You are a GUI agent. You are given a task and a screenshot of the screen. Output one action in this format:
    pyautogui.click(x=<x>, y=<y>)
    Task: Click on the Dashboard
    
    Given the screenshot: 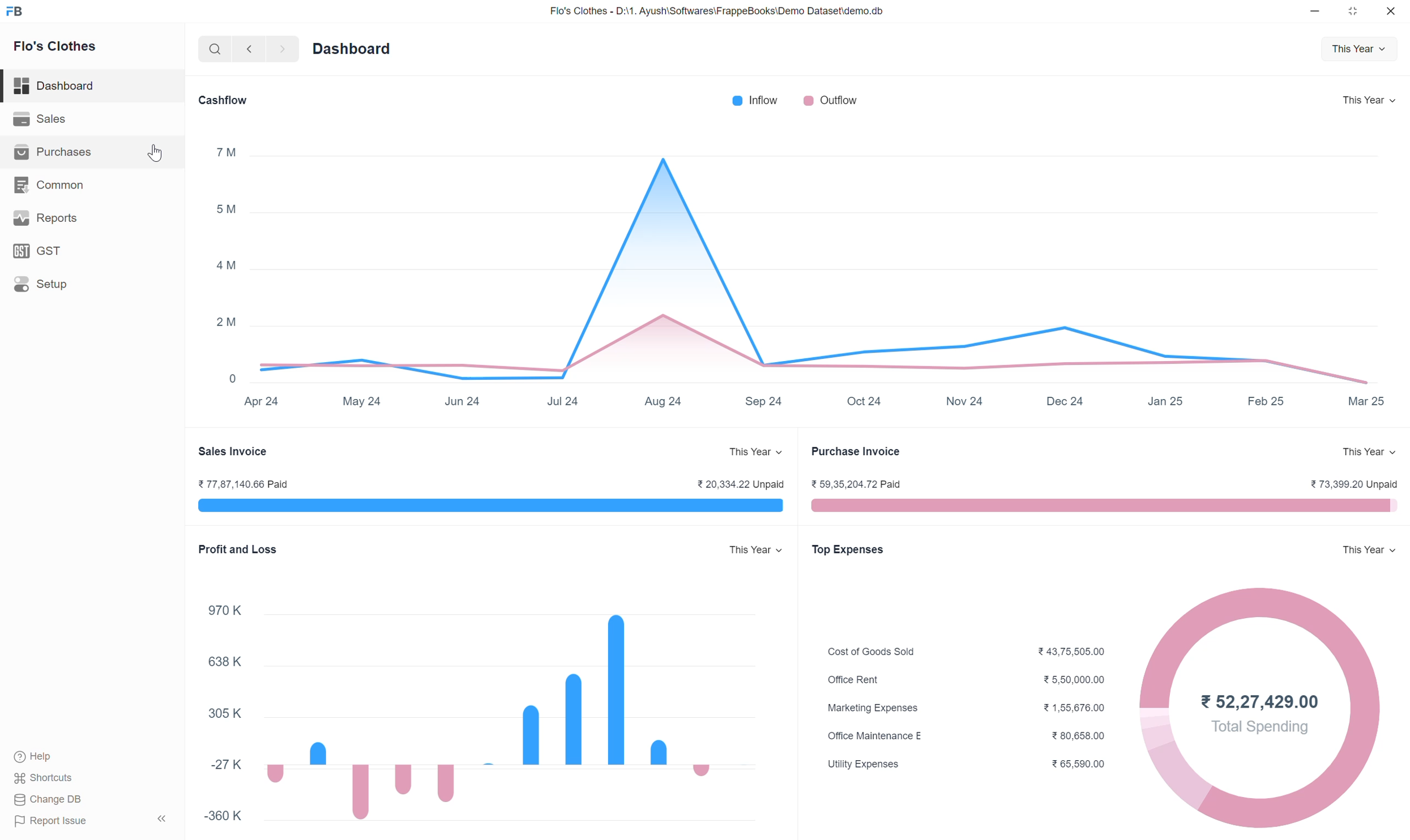 What is the action you would take?
    pyautogui.click(x=55, y=83)
    